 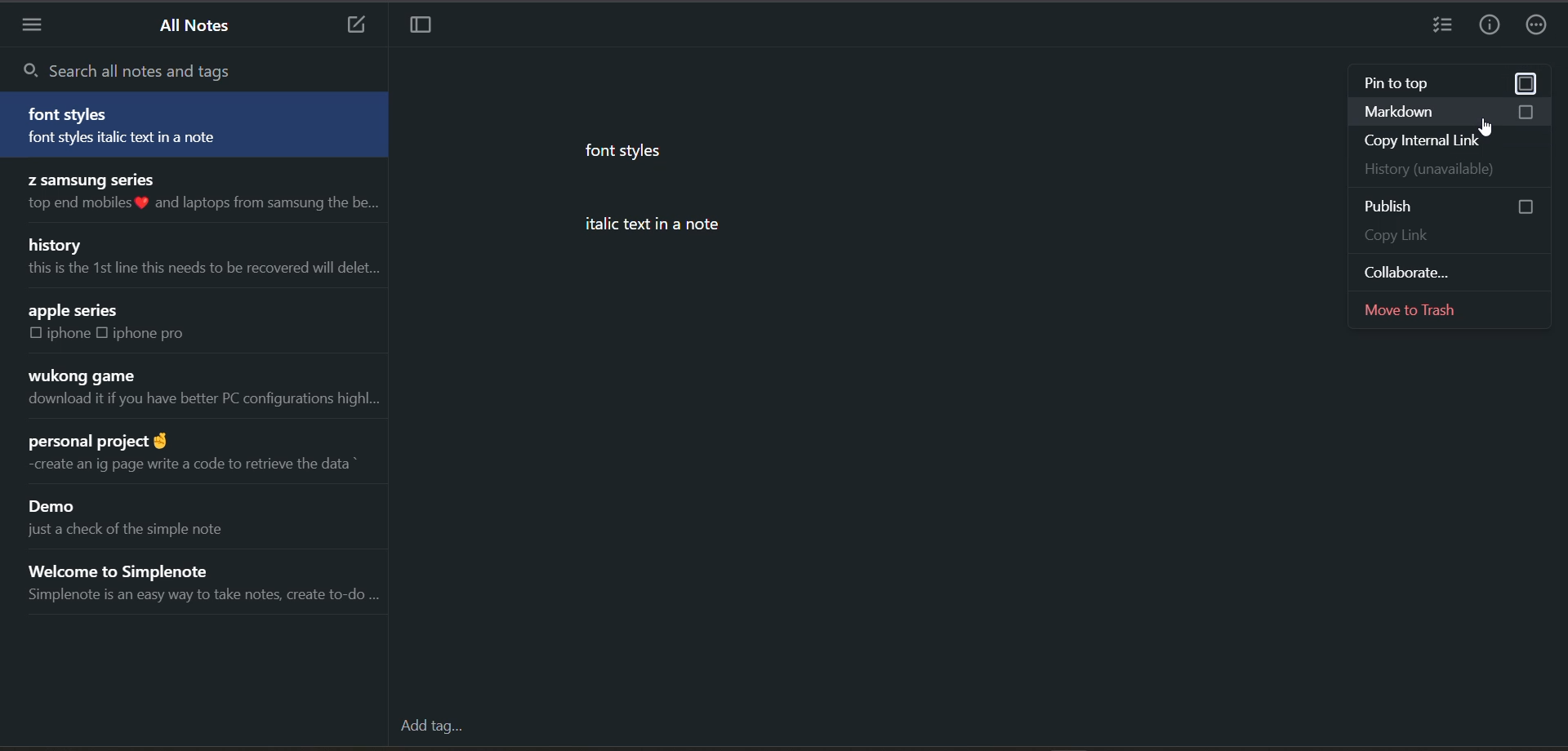 I want to click on note title and preview, so click(x=201, y=195).